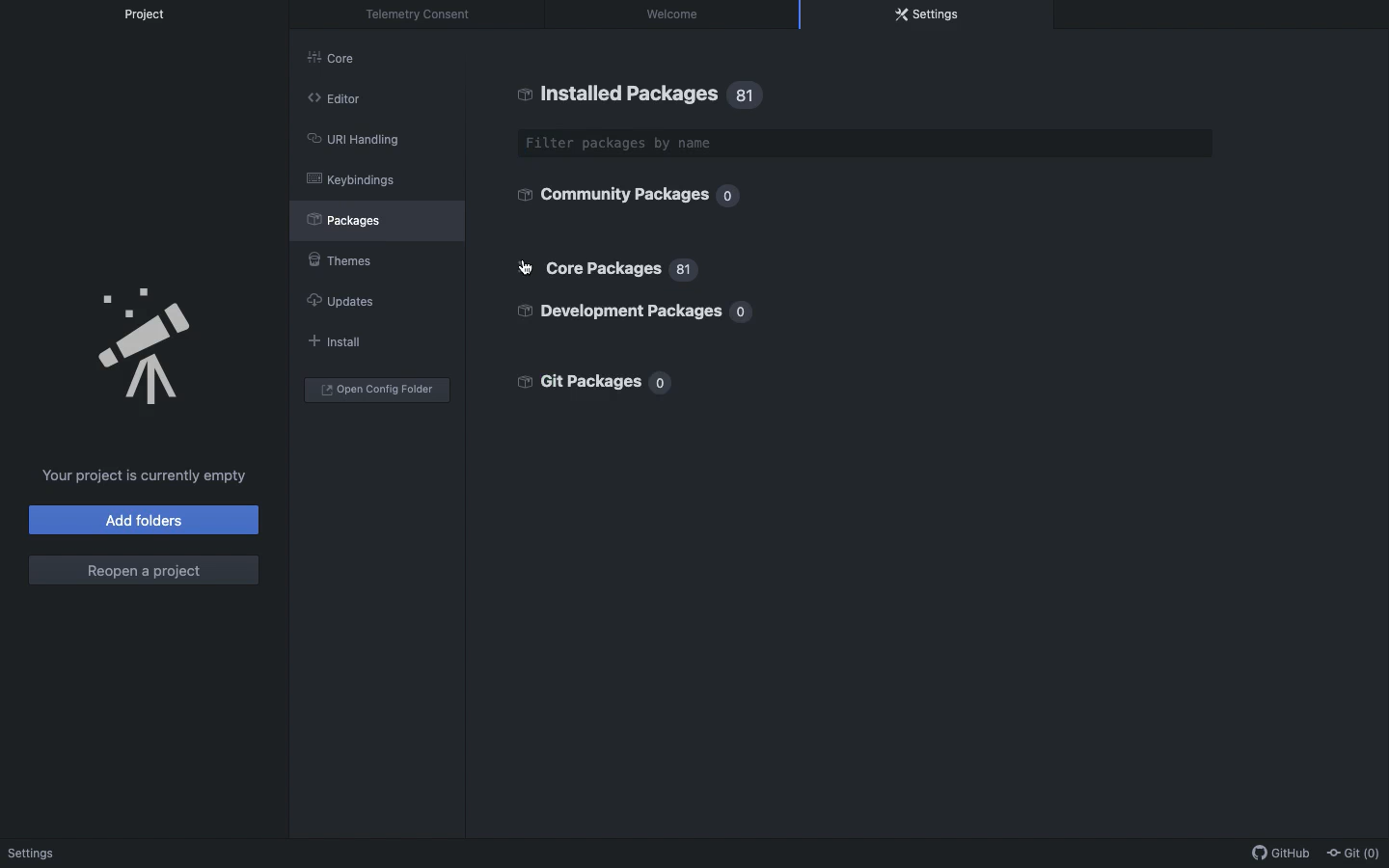  I want to click on Reopen a project, so click(143, 571).